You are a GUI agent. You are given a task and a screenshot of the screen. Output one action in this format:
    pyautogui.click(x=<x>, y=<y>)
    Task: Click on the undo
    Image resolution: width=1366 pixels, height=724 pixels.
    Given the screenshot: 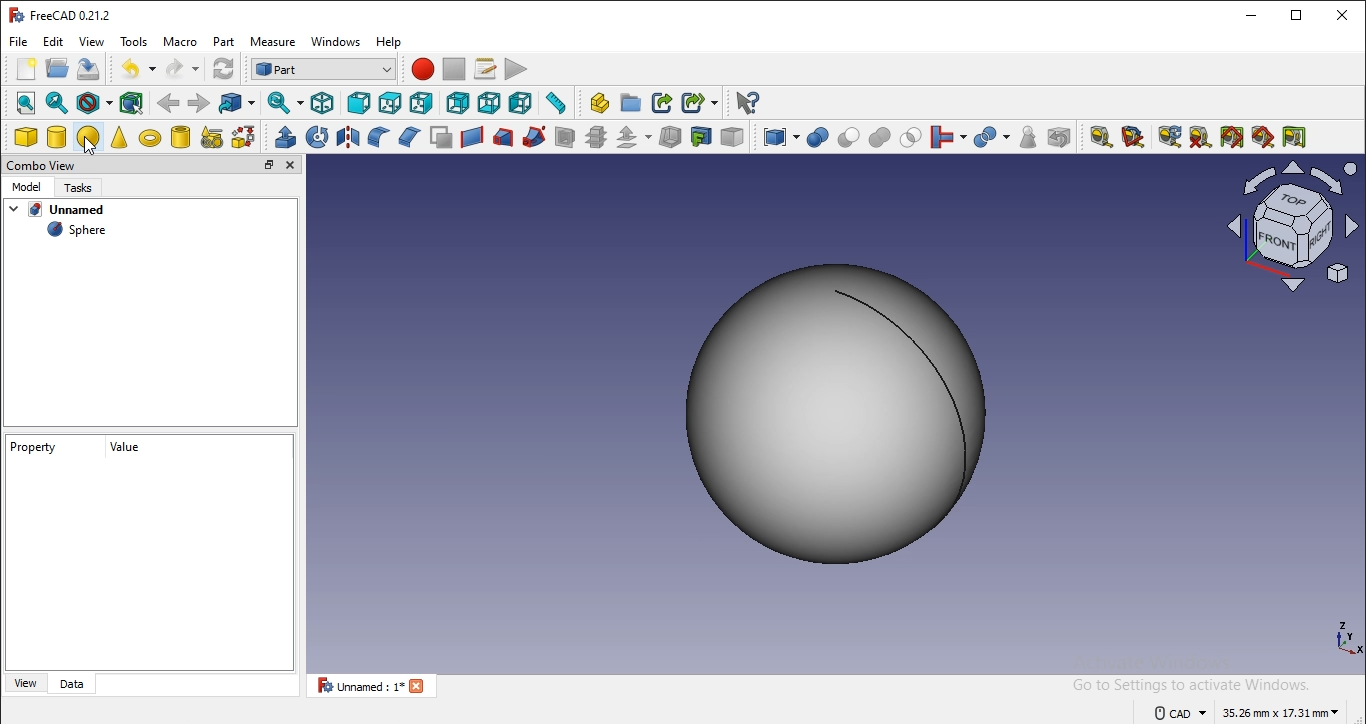 What is the action you would take?
    pyautogui.click(x=134, y=68)
    